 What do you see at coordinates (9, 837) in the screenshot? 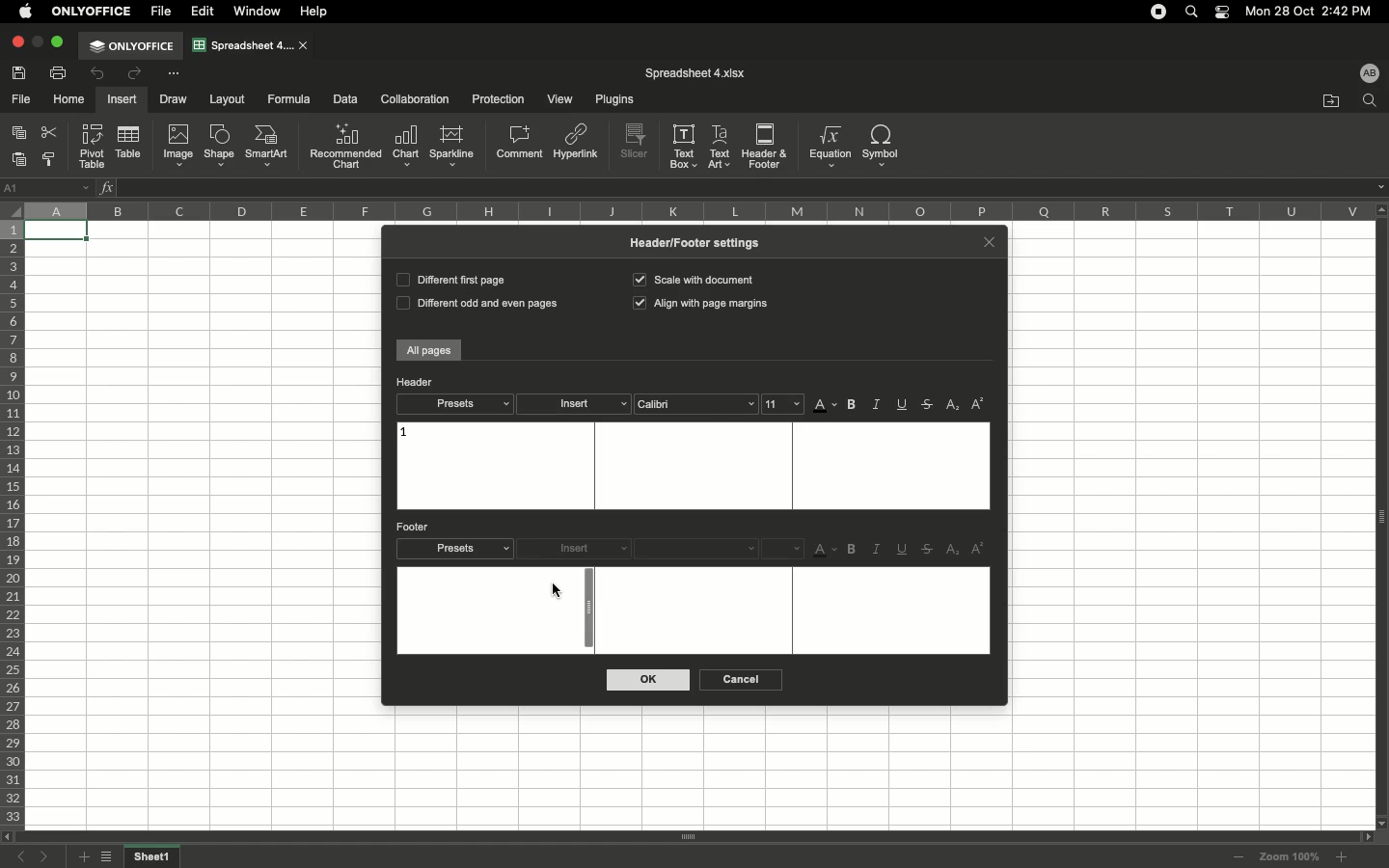
I see `scroll left` at bounding box center [9, 837].